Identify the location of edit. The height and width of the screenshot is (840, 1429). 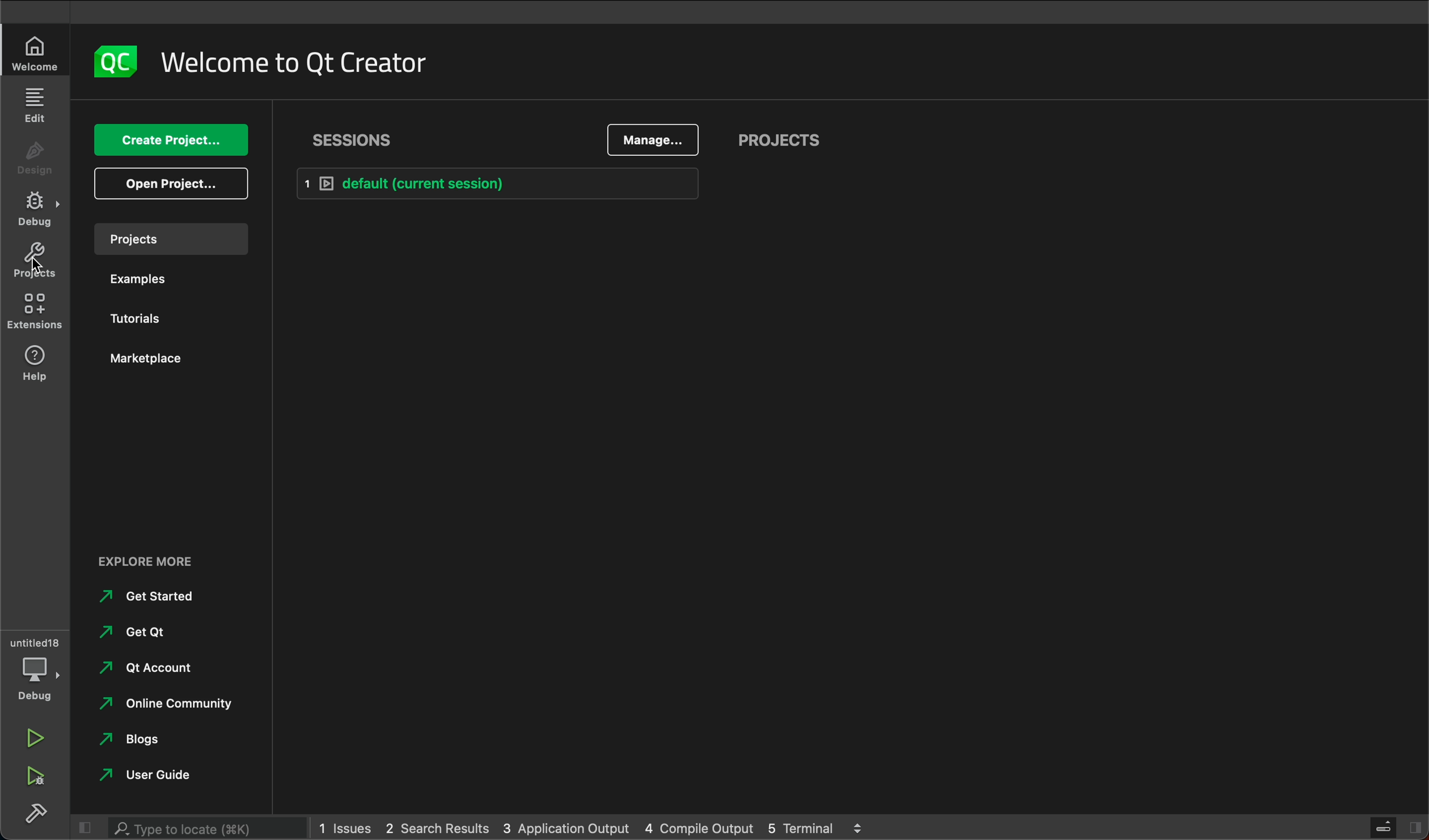
(34, 105).